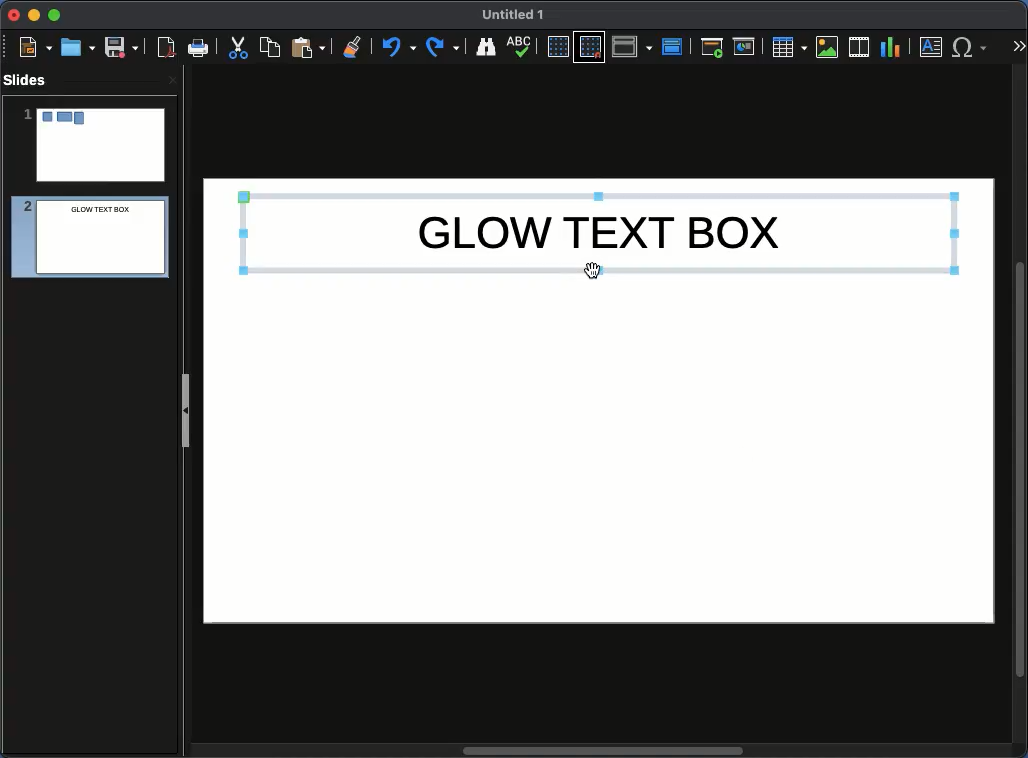 The width and height of the screenshot is (1028, 758). What do you see at coordinates (199, 49) in the screenshot?
I see `Print` at bounding box center [199, 49].